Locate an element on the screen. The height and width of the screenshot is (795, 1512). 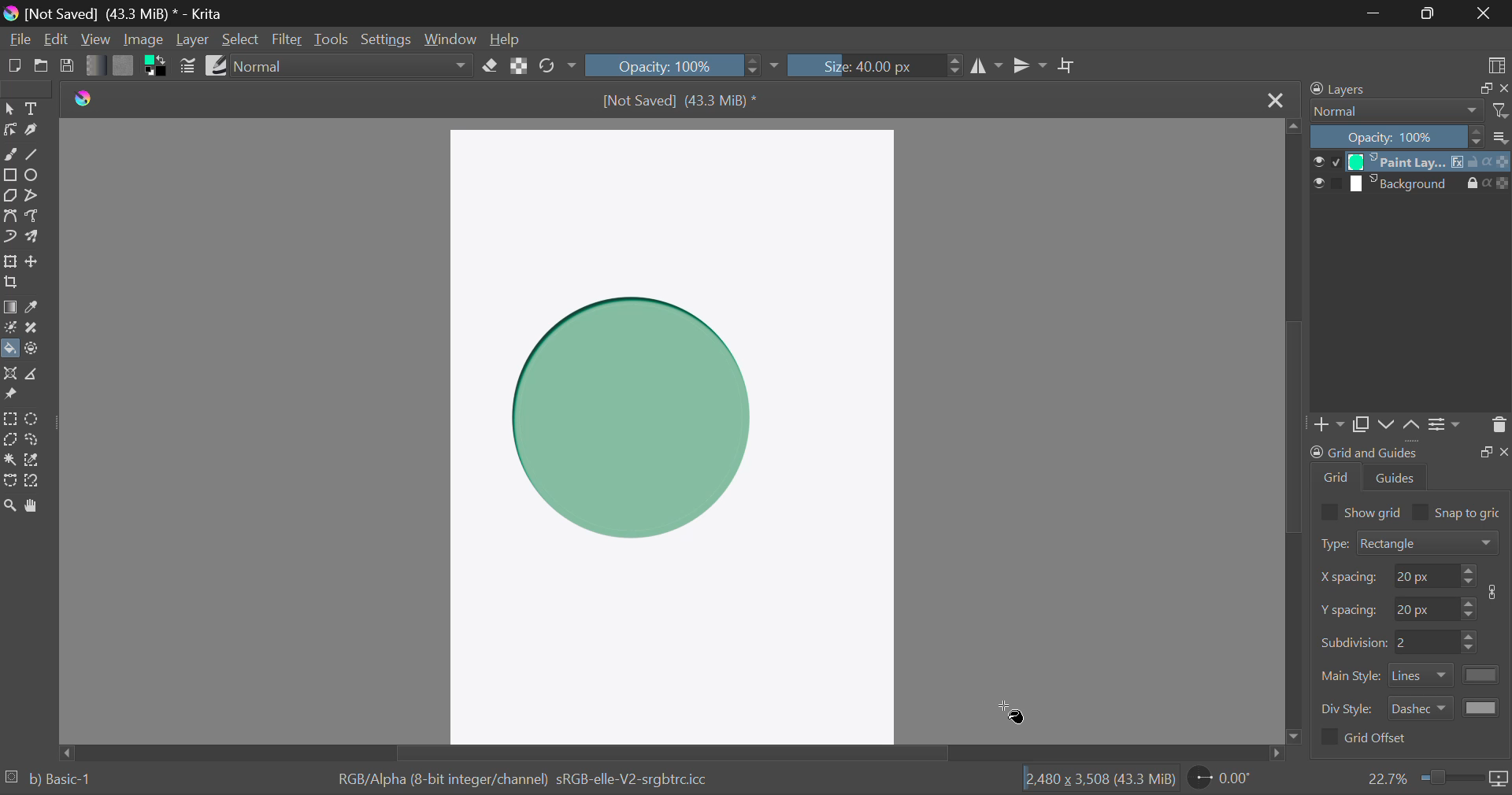
Opacity is located at coordinates (1411, 138).